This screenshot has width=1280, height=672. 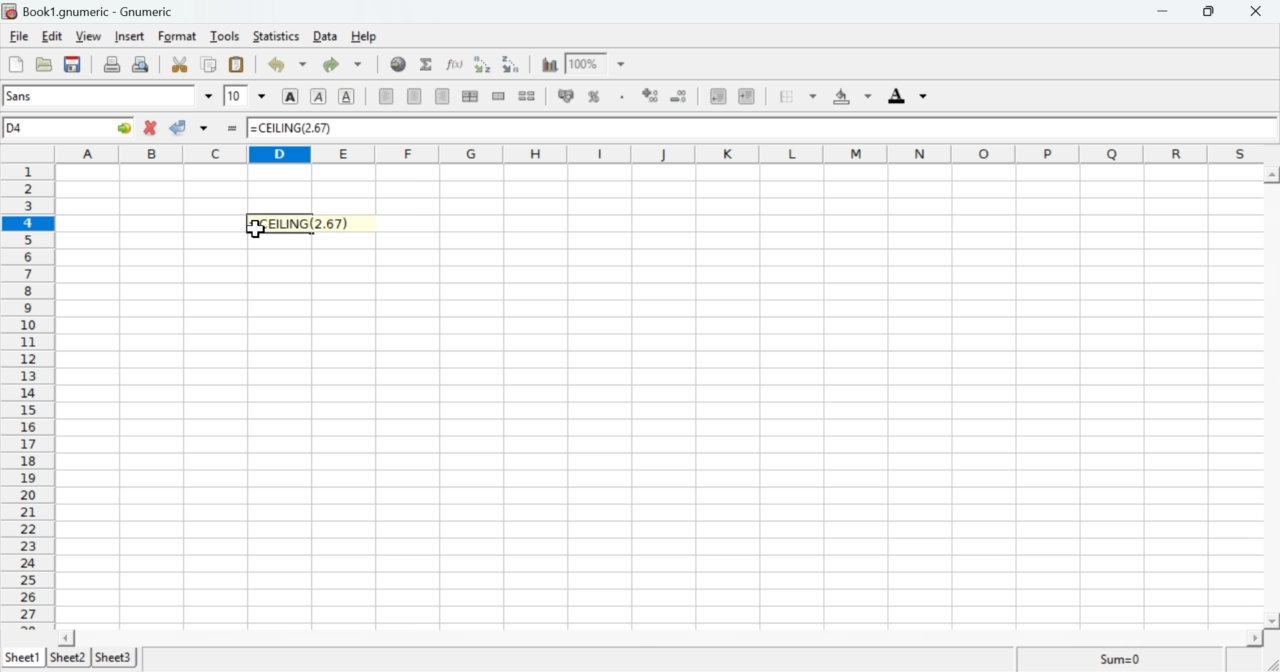 I want to click on scroll right, so click(x=1252, y=638).